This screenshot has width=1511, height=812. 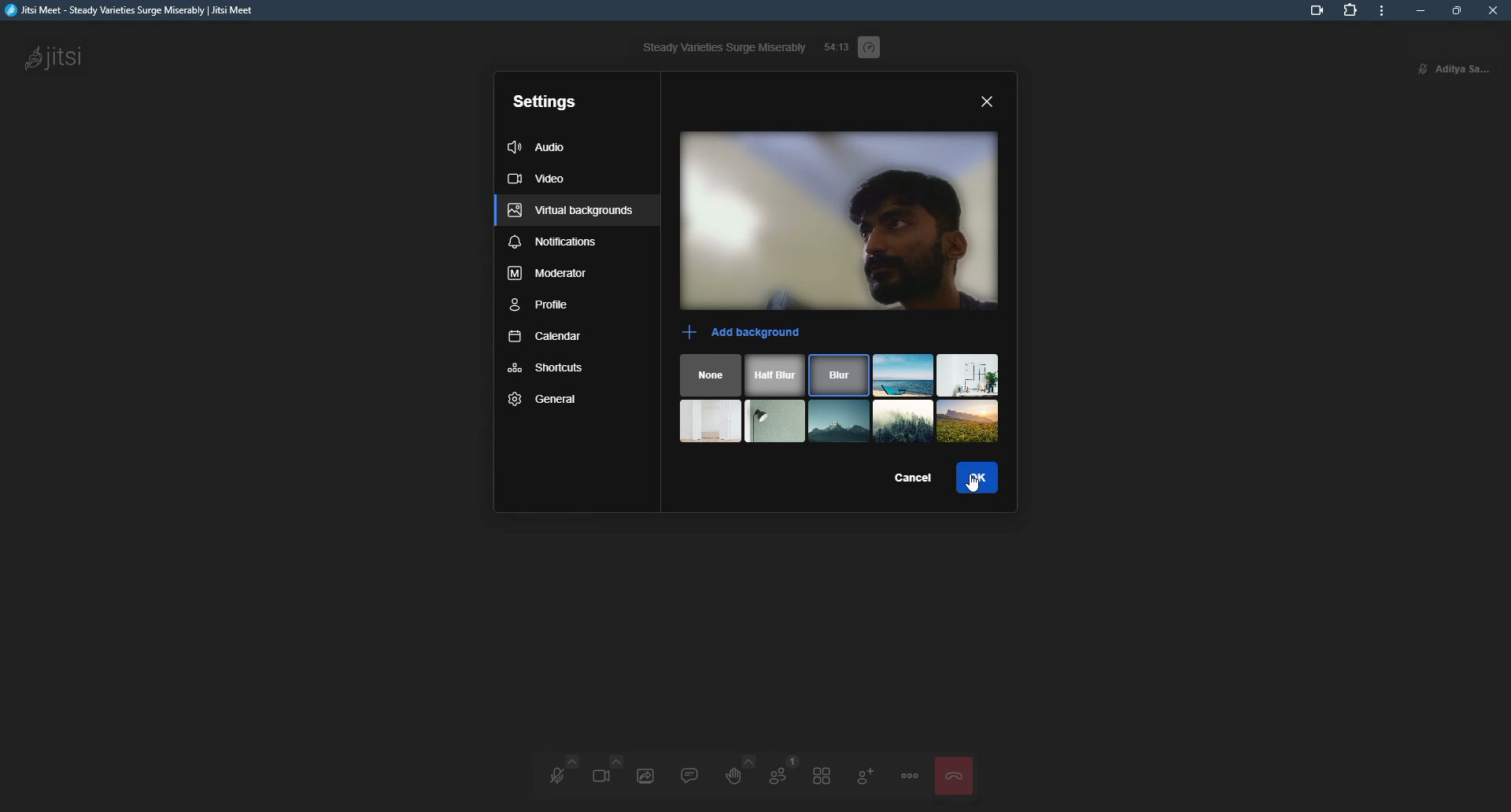 What do you see at coordinates (541, 308) in the screenshot?
I see `profile` at bounding box center [541, 308].